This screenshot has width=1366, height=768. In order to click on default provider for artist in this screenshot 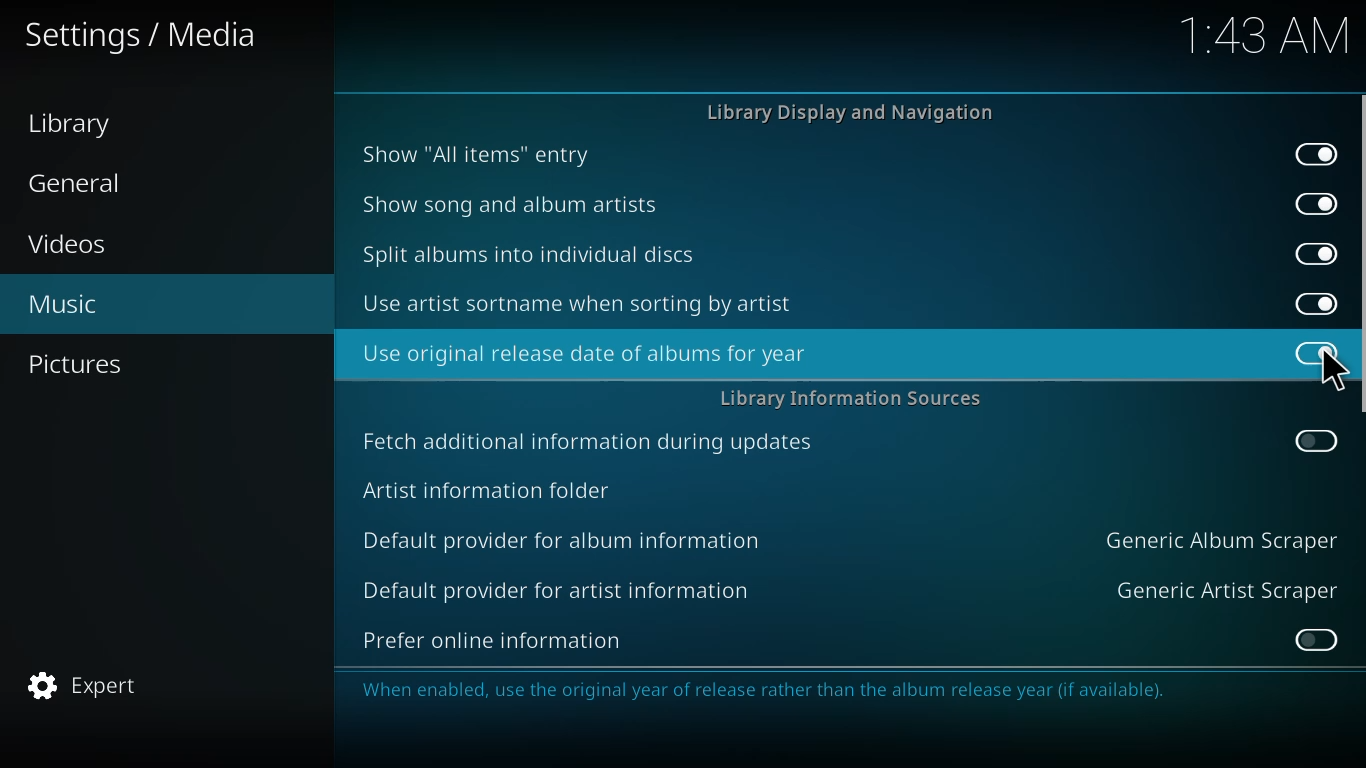, I will do `click(555, 589)`.